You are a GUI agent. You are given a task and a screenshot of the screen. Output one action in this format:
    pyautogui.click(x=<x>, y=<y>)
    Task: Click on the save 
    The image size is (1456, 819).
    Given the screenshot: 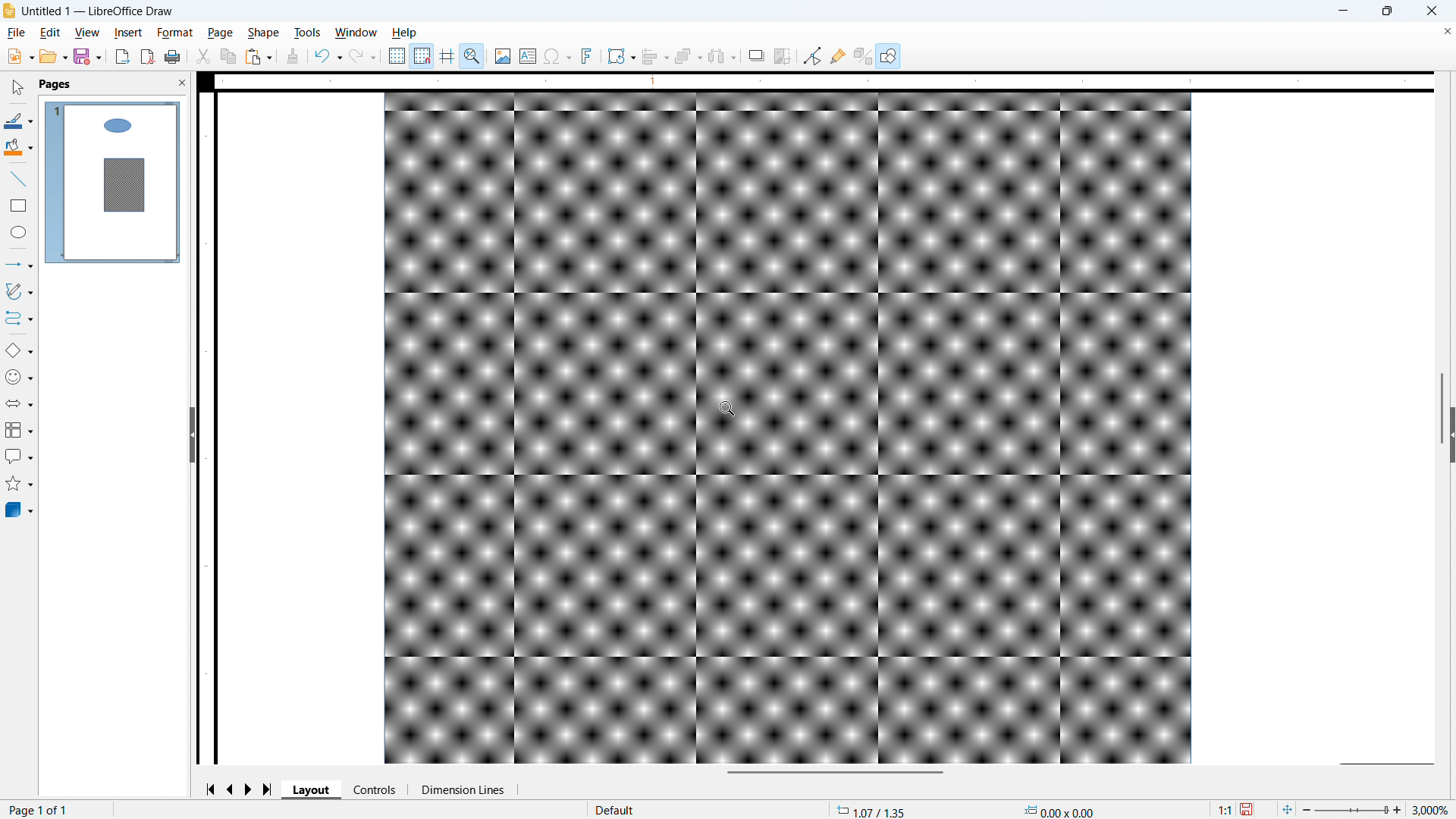 What is the action you would take?
    pyautogui.click(x=87, y=57)
    